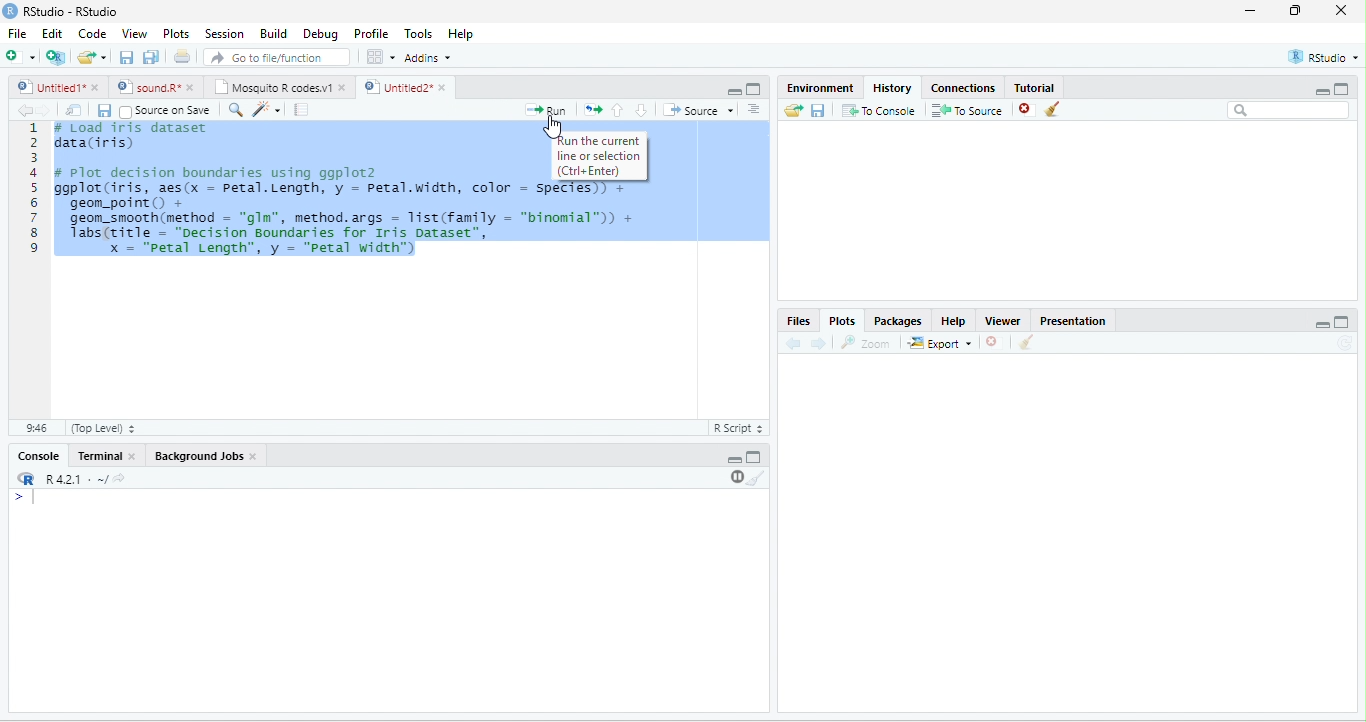 The width and height of the screenshot is (1366, 722). Describe the element at coordinates (797, 322) in the screenshot. I see `Files` at that location.